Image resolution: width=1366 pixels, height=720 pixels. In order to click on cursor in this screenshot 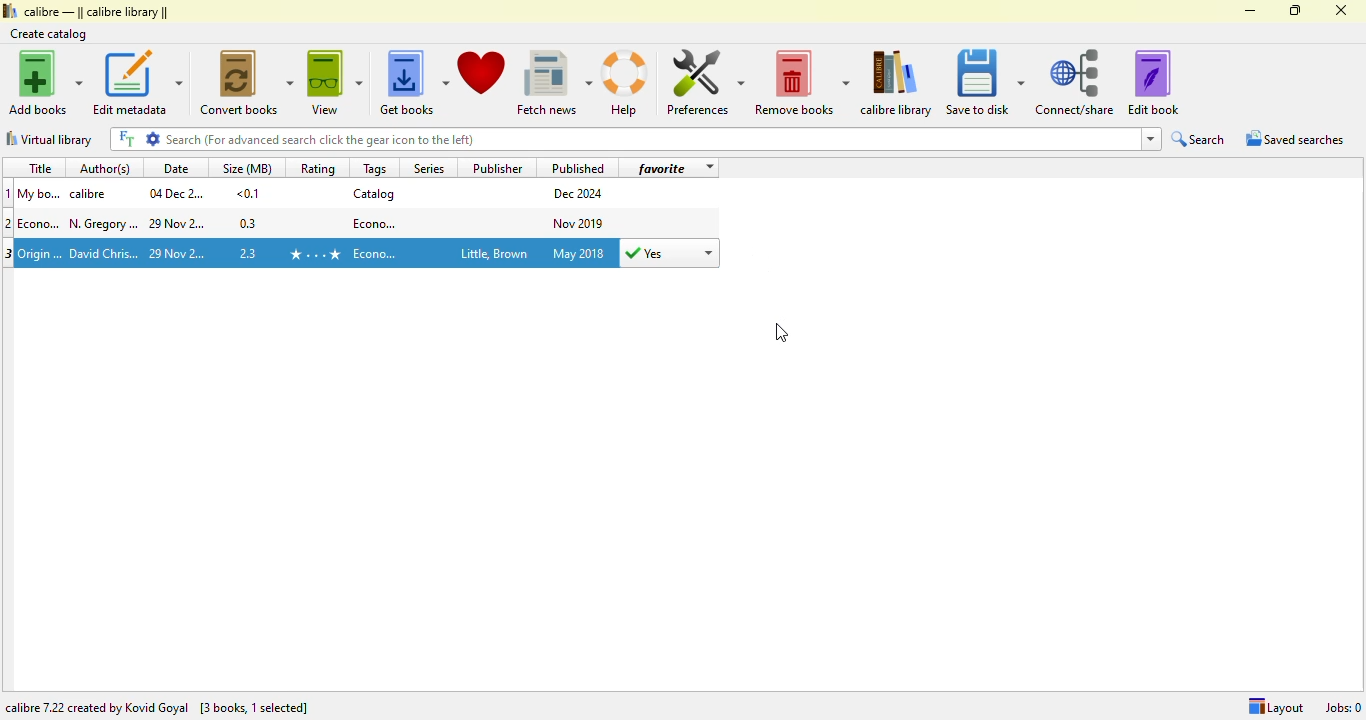, I will do `click(781, 333)`.